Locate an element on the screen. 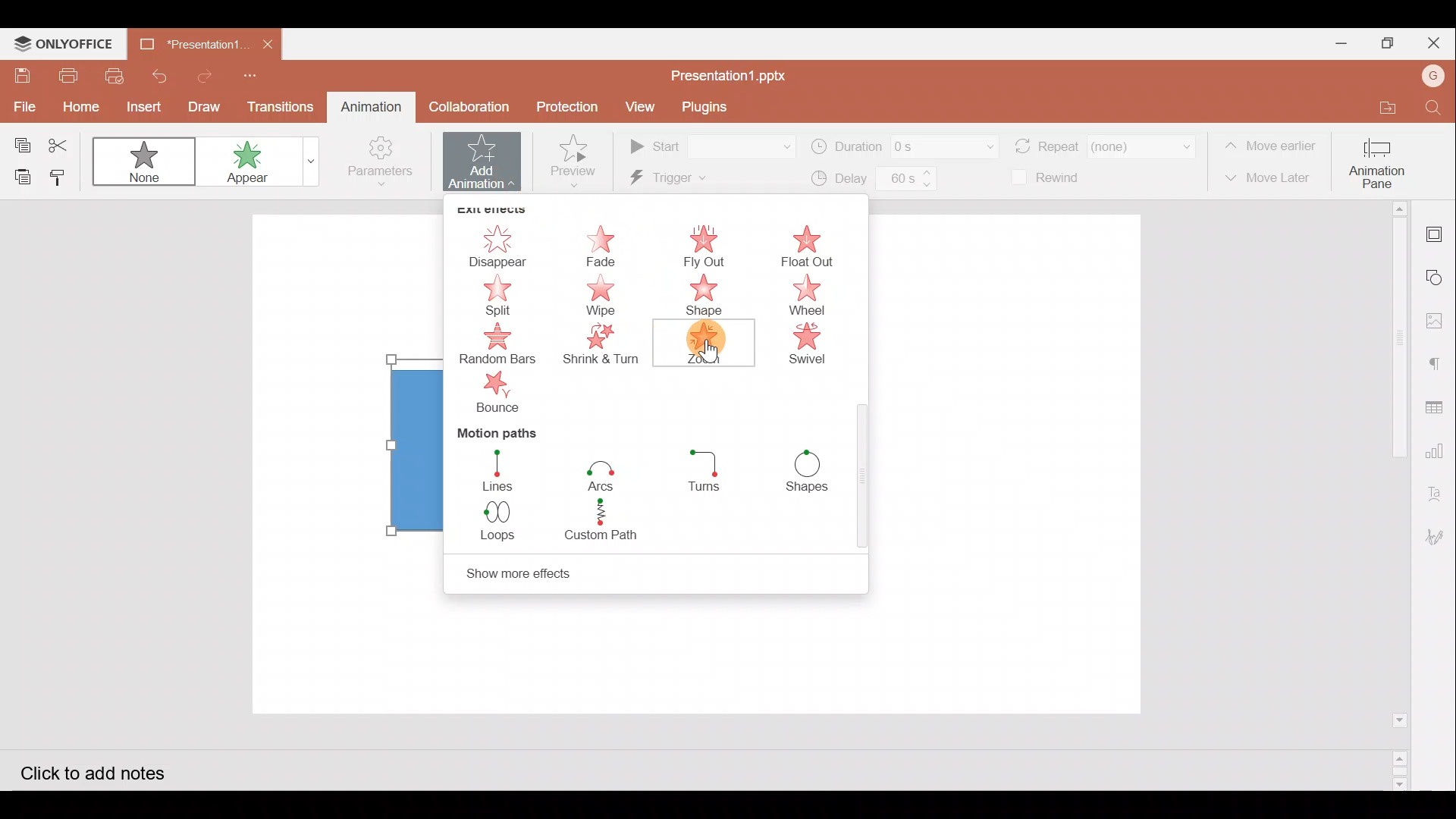 The height and width of the screenshot is (819, 1456). Close is located at coordinates (1429, 42).